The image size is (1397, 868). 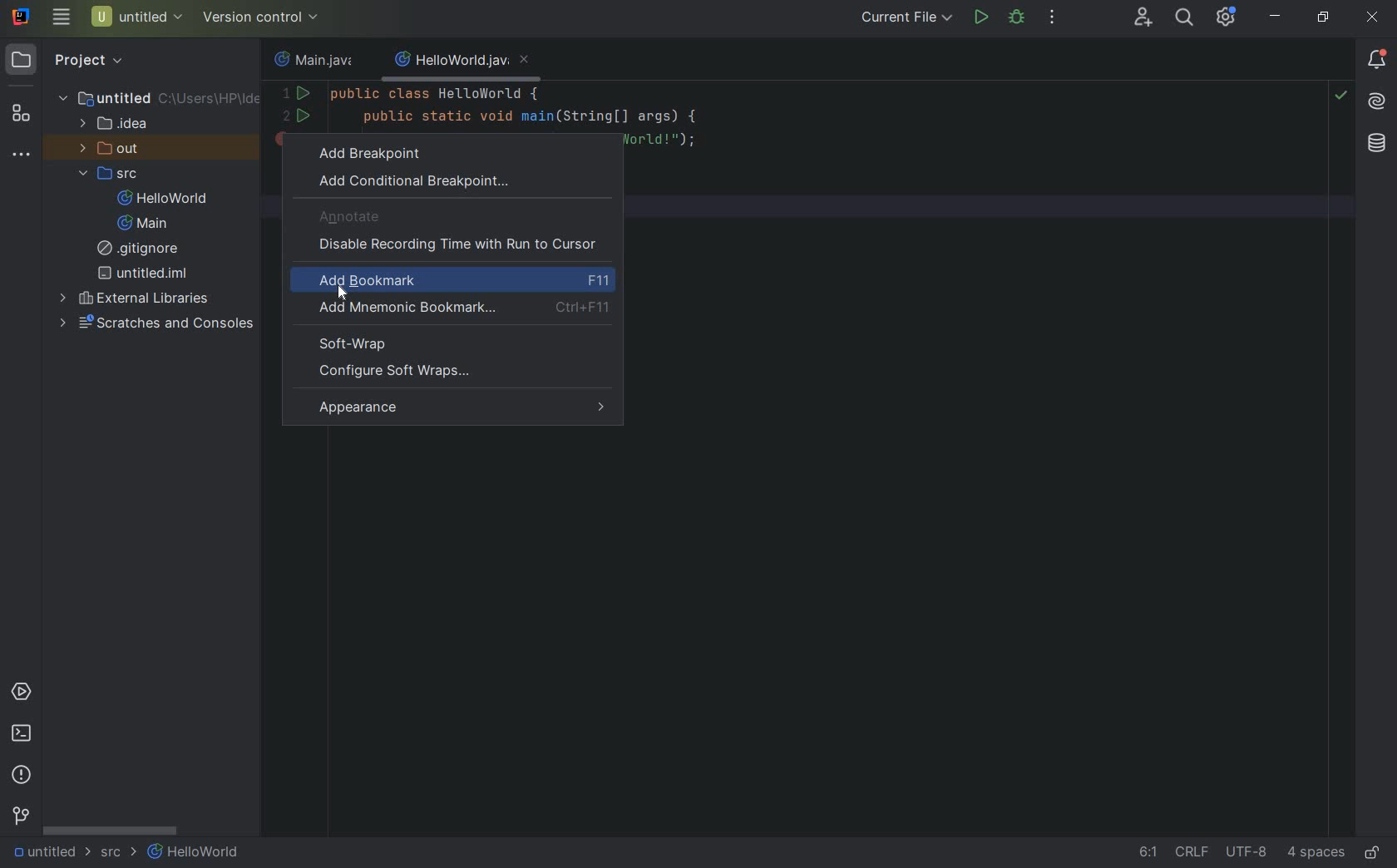 What do you see at coordinates (21, 156) in the screenshot?
I see `more tool windows` at bounding box center [21, 156].